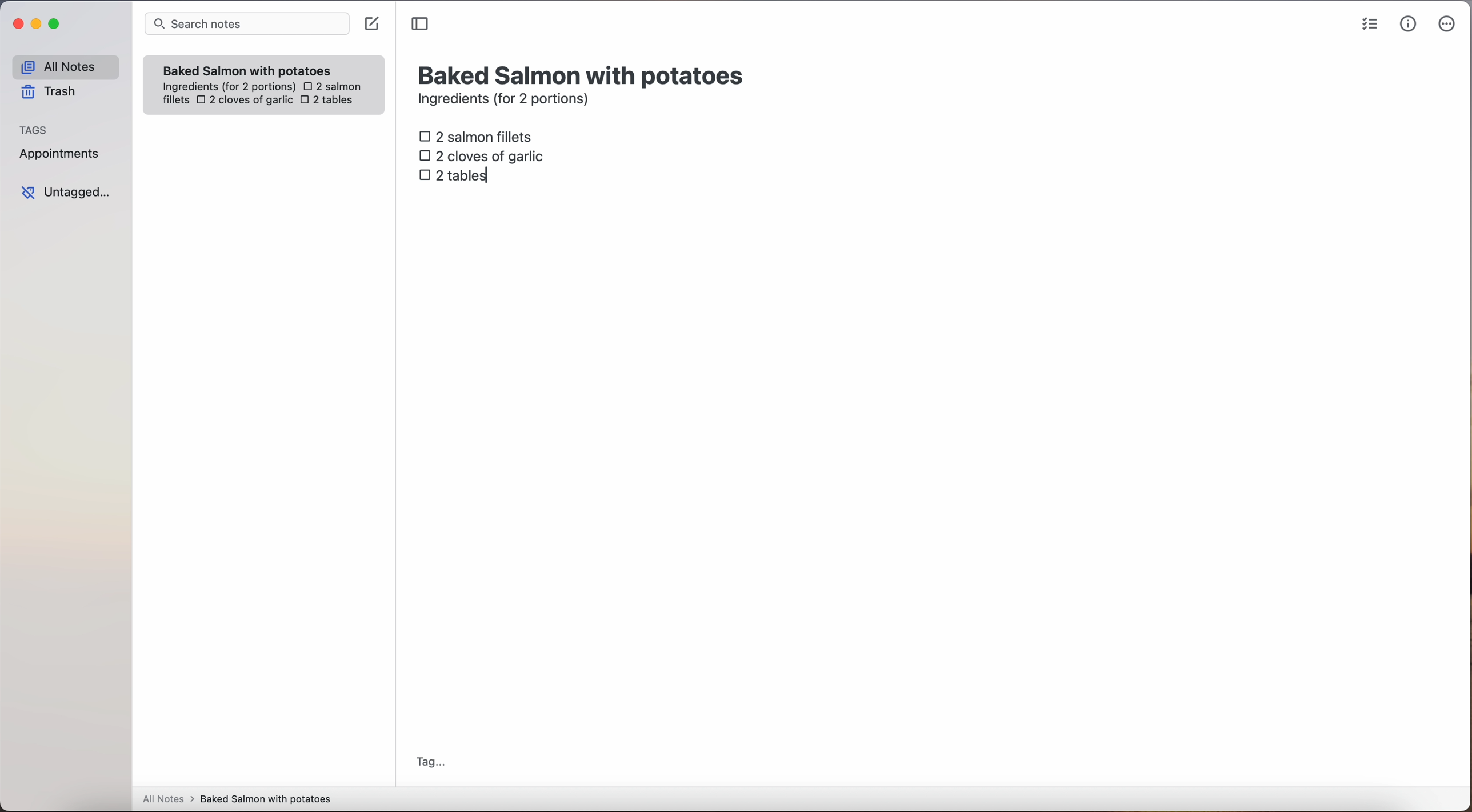 Image resolution: width=1472 pixels, height=812 pixels. Describe the element at coordinates (326, 101) in the screenshot. I see `2 tables` at that location.